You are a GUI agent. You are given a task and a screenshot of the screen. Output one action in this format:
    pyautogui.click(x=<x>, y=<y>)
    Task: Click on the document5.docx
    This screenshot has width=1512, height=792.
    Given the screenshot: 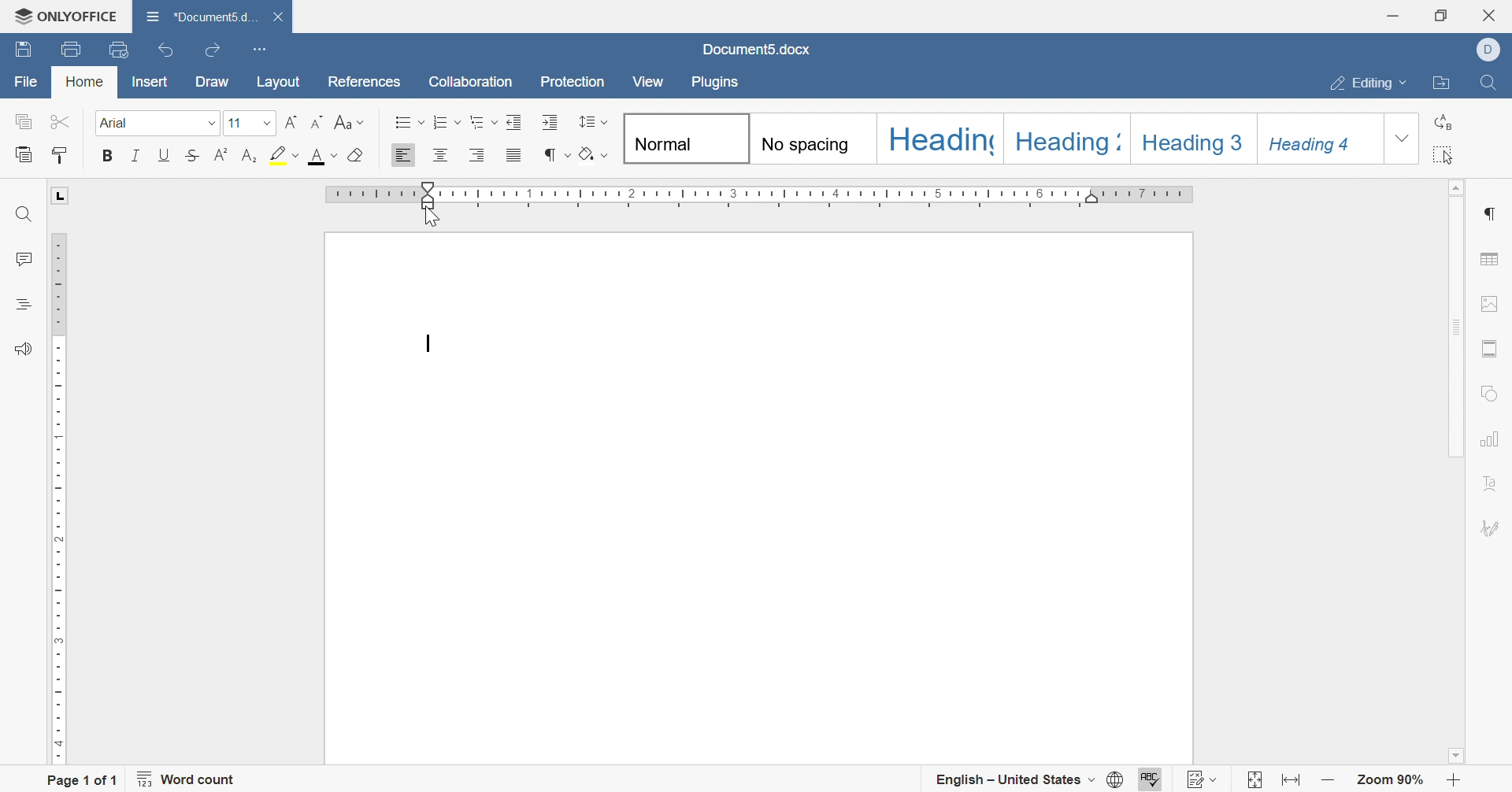 What is the action you would take?
    pyautogui.click(x=196, y=13)
    